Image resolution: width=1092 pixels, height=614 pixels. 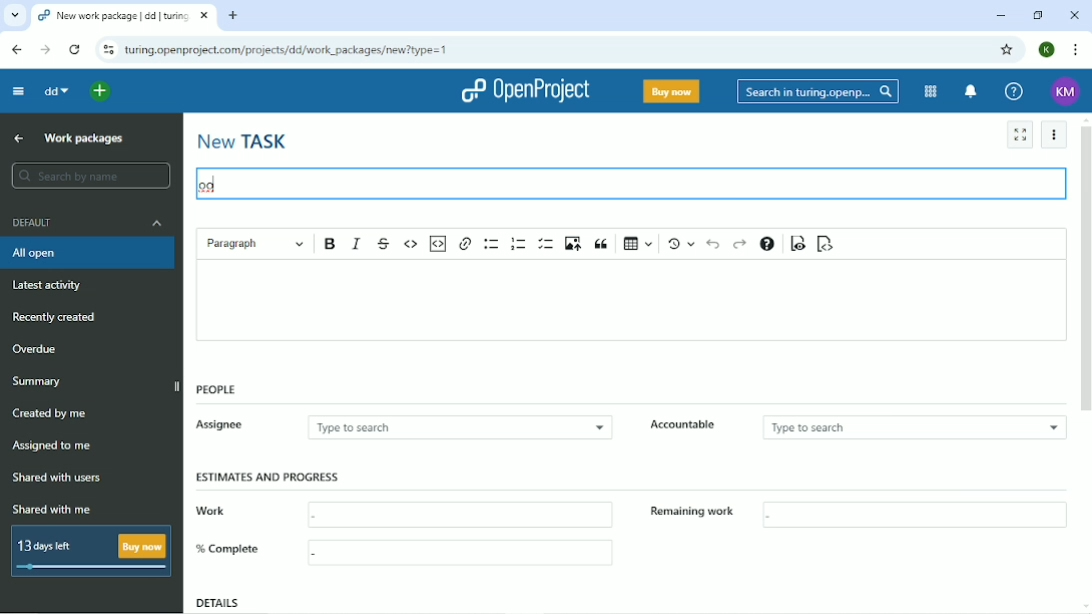 I want to click on Accountable, so click(x=690, y=428).